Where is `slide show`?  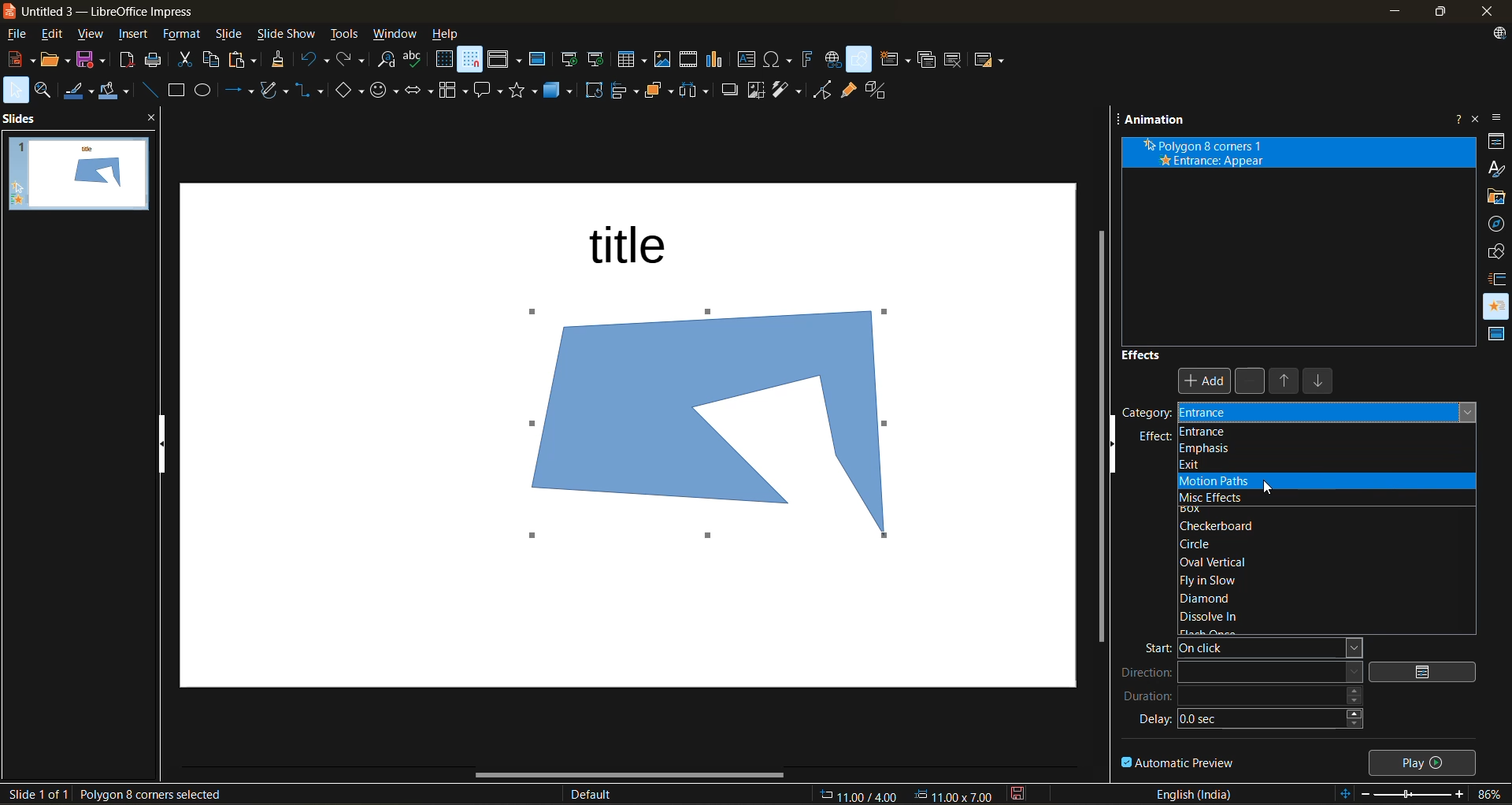
slide show is located at coordinates (286, 35).